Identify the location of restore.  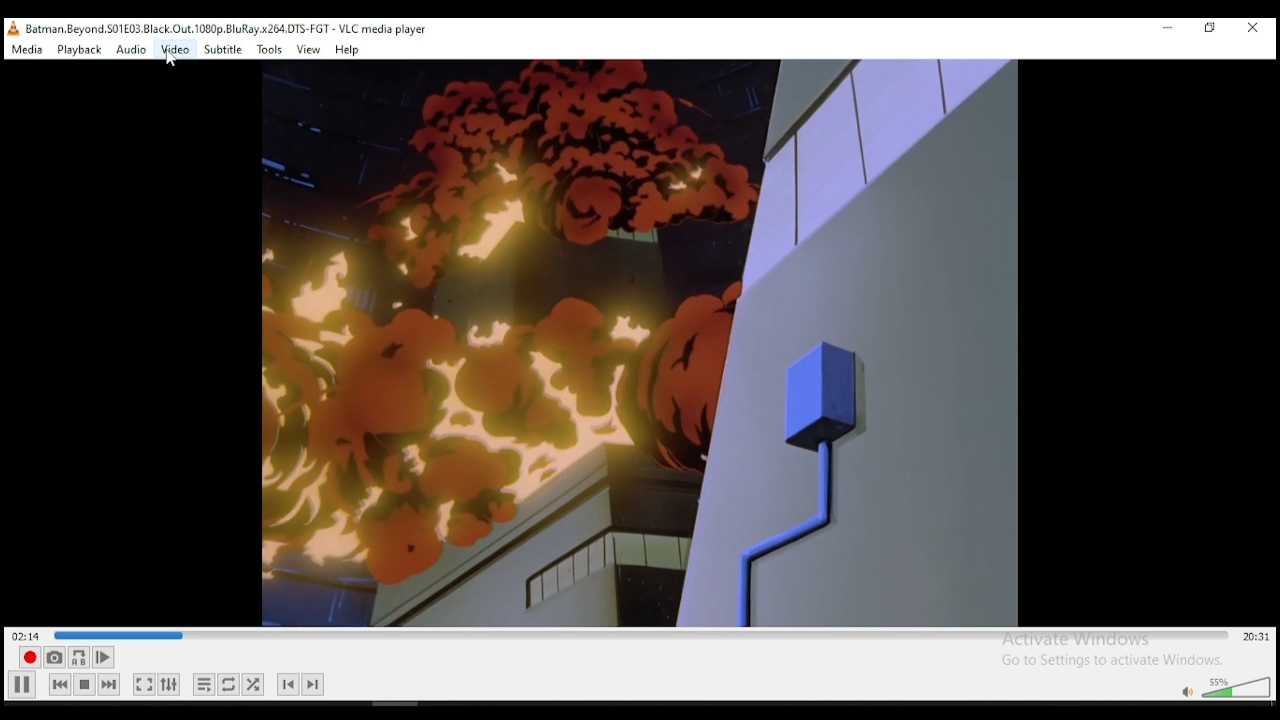
(1212, 31).